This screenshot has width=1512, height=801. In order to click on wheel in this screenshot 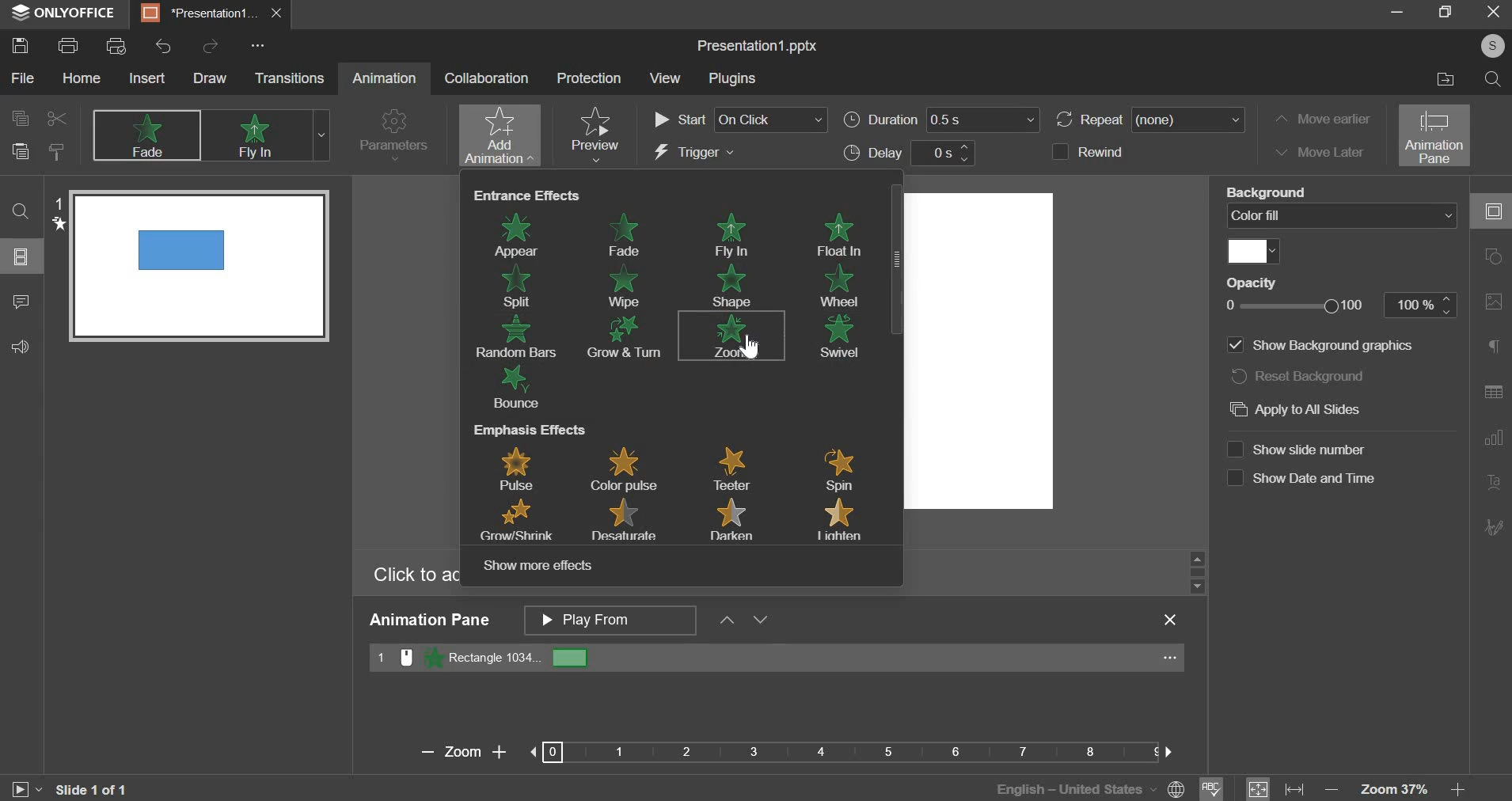, I will do `click(839, 288)`.